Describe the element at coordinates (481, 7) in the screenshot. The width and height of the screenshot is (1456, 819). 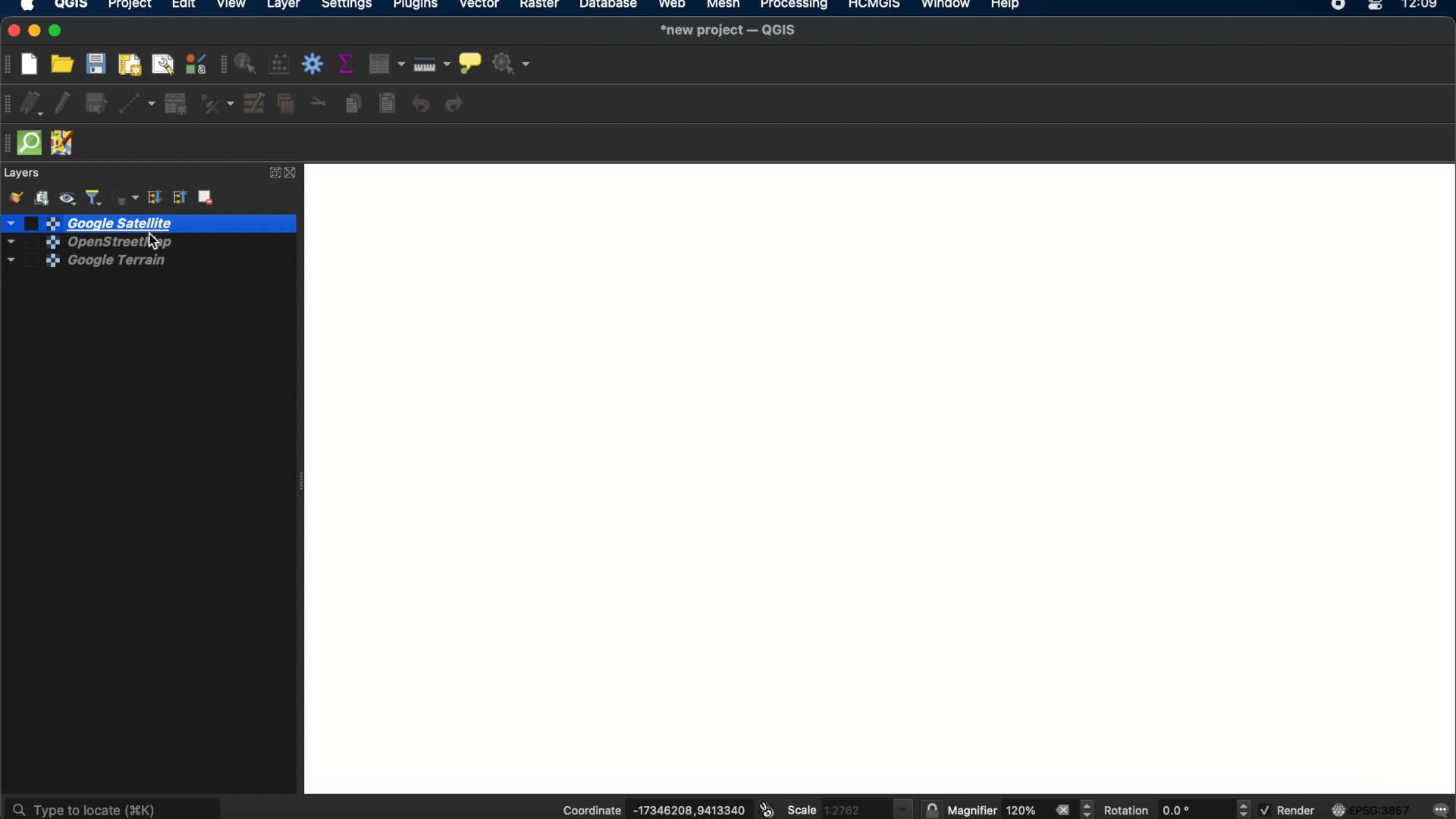
I see `vector` at that location.